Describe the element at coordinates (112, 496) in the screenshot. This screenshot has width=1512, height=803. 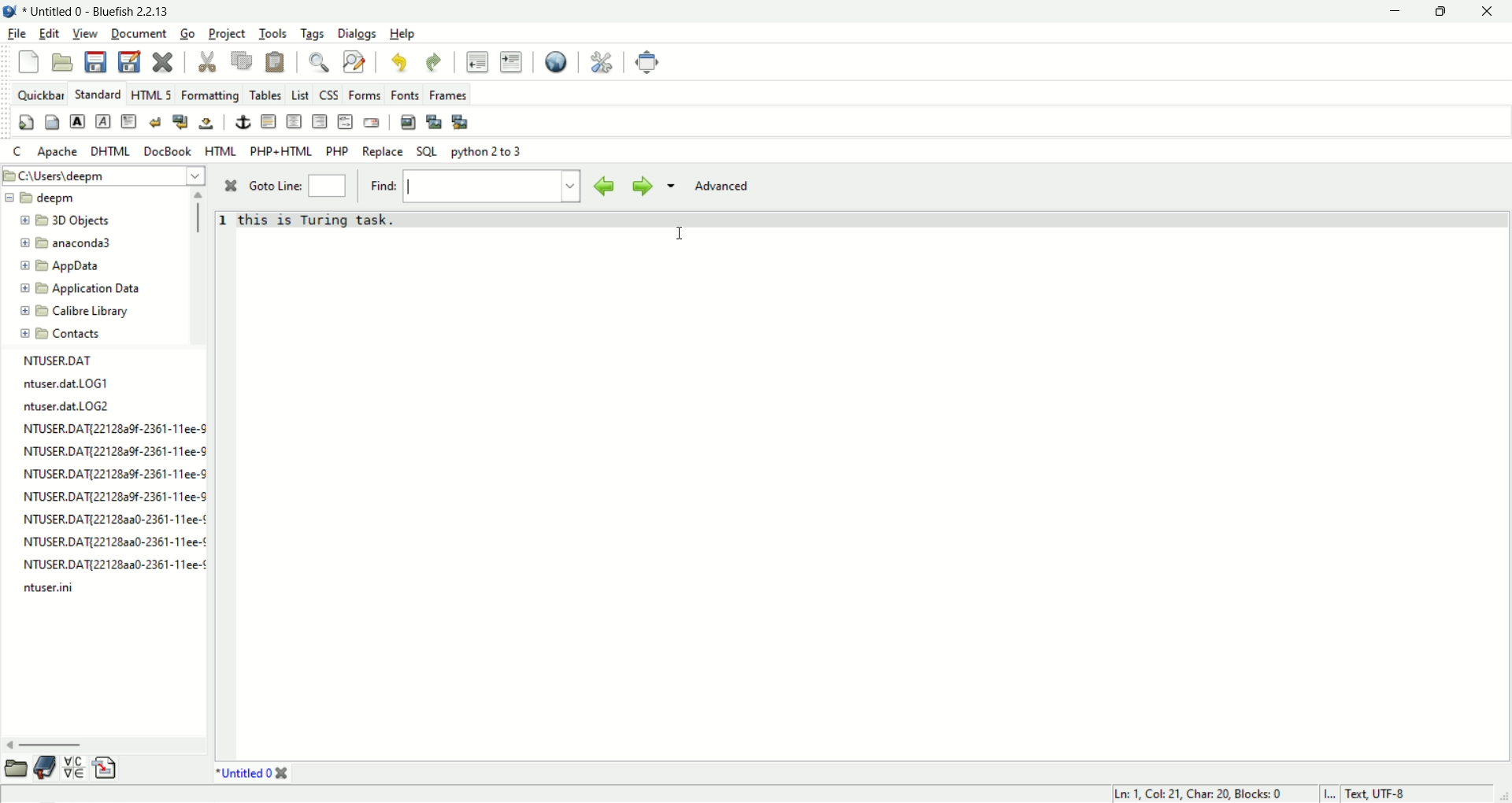
I see `NTUSER.DATI221282a9f-2361-11ee-8` at that location.